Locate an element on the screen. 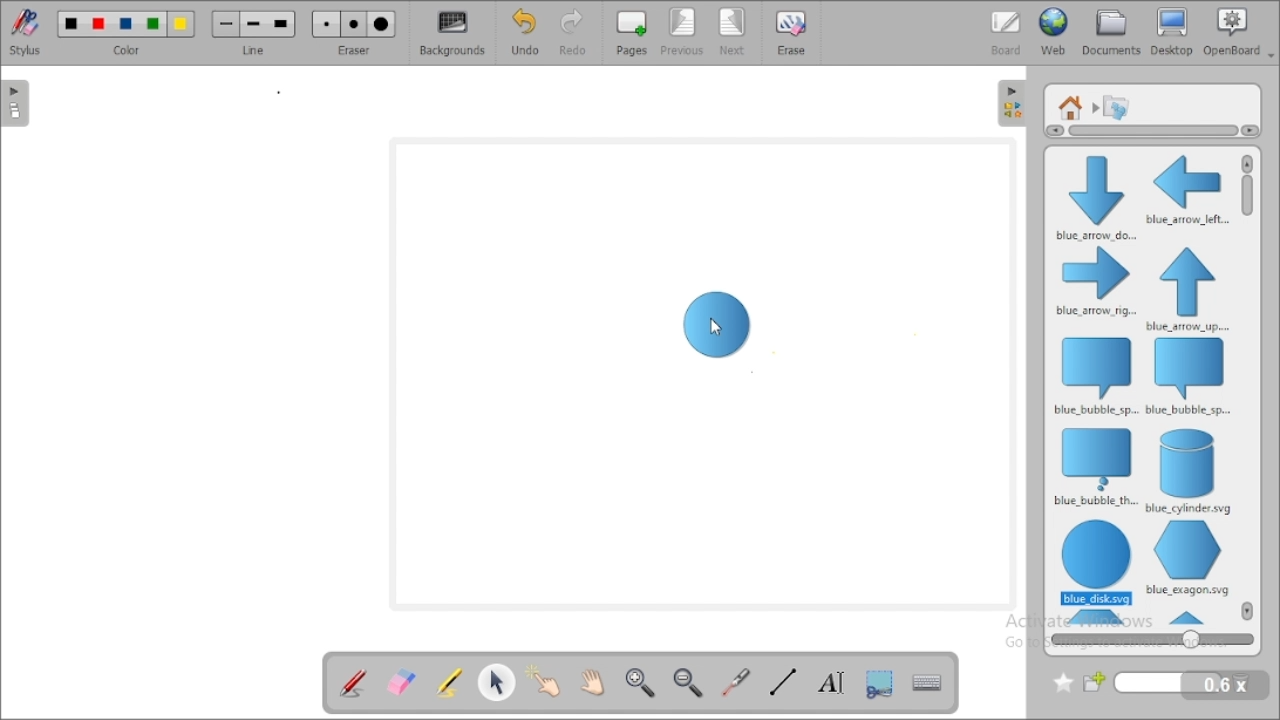 The height and width of the screenshot is (720, 1280). stylus is located at coordinates (25, 32).